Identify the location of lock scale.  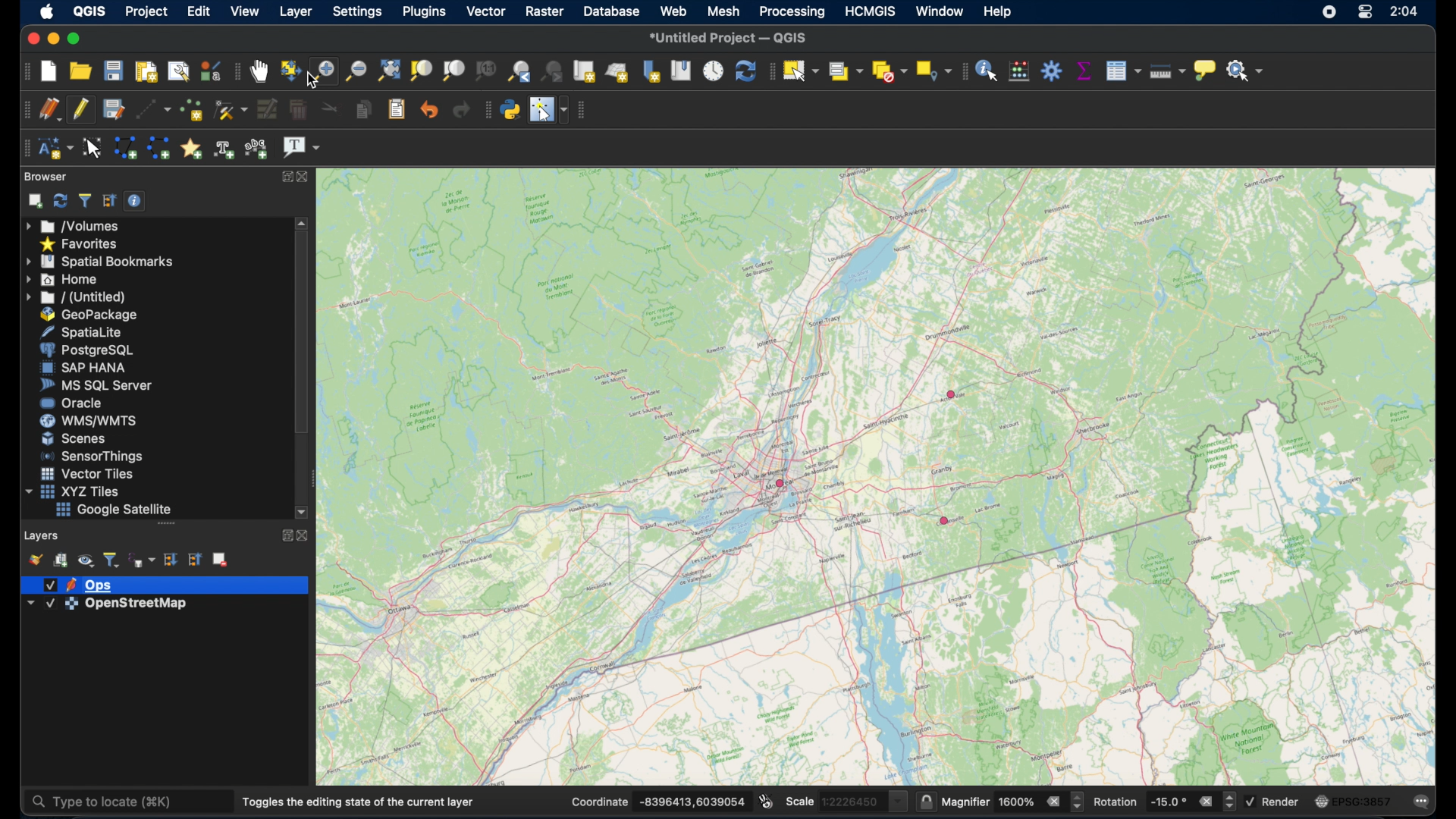
(923, 802).